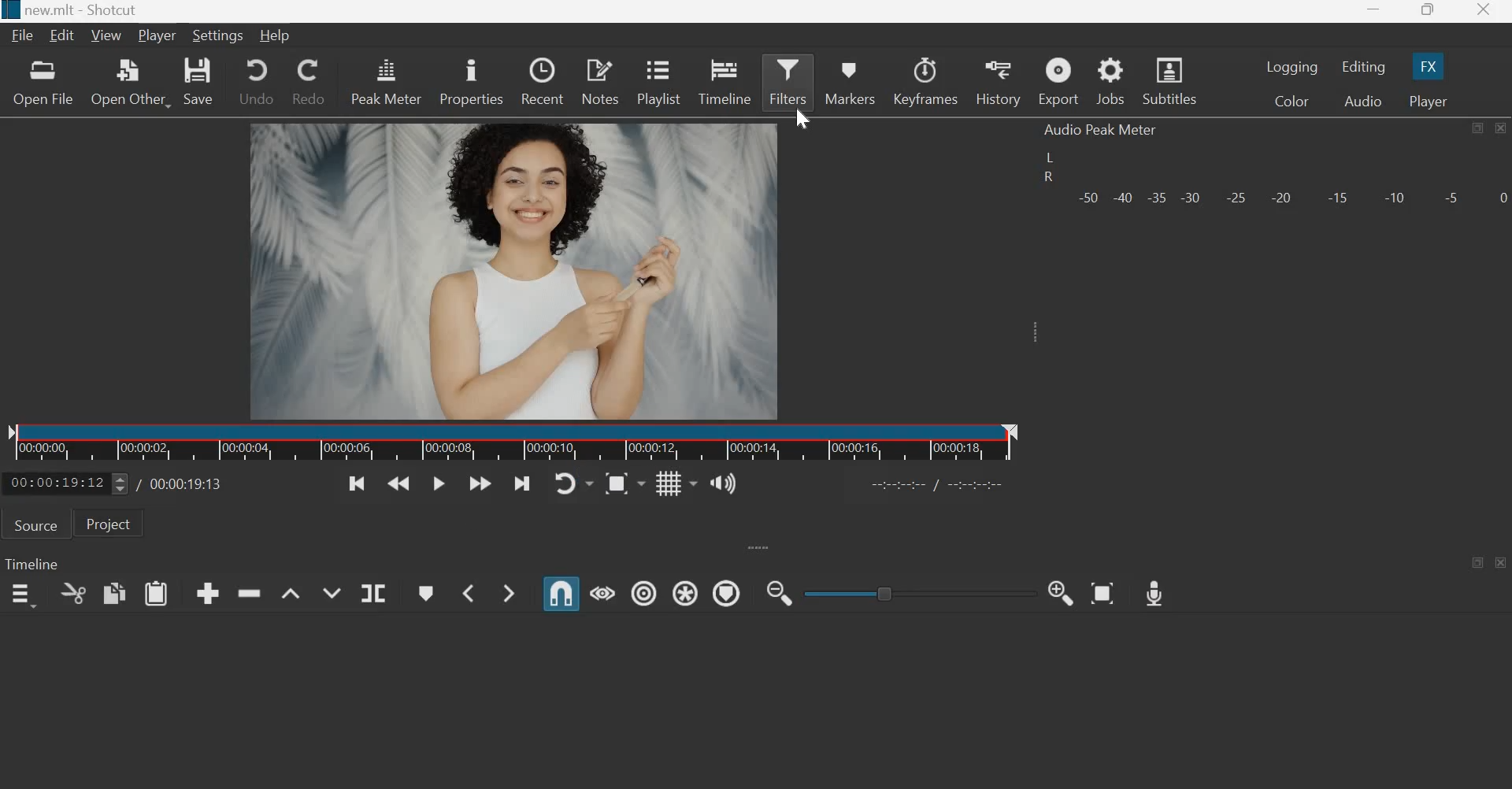  Describe the element at coordinates (676, 482) in the screenshot. I see `Toggle grid display on the player` at that location.